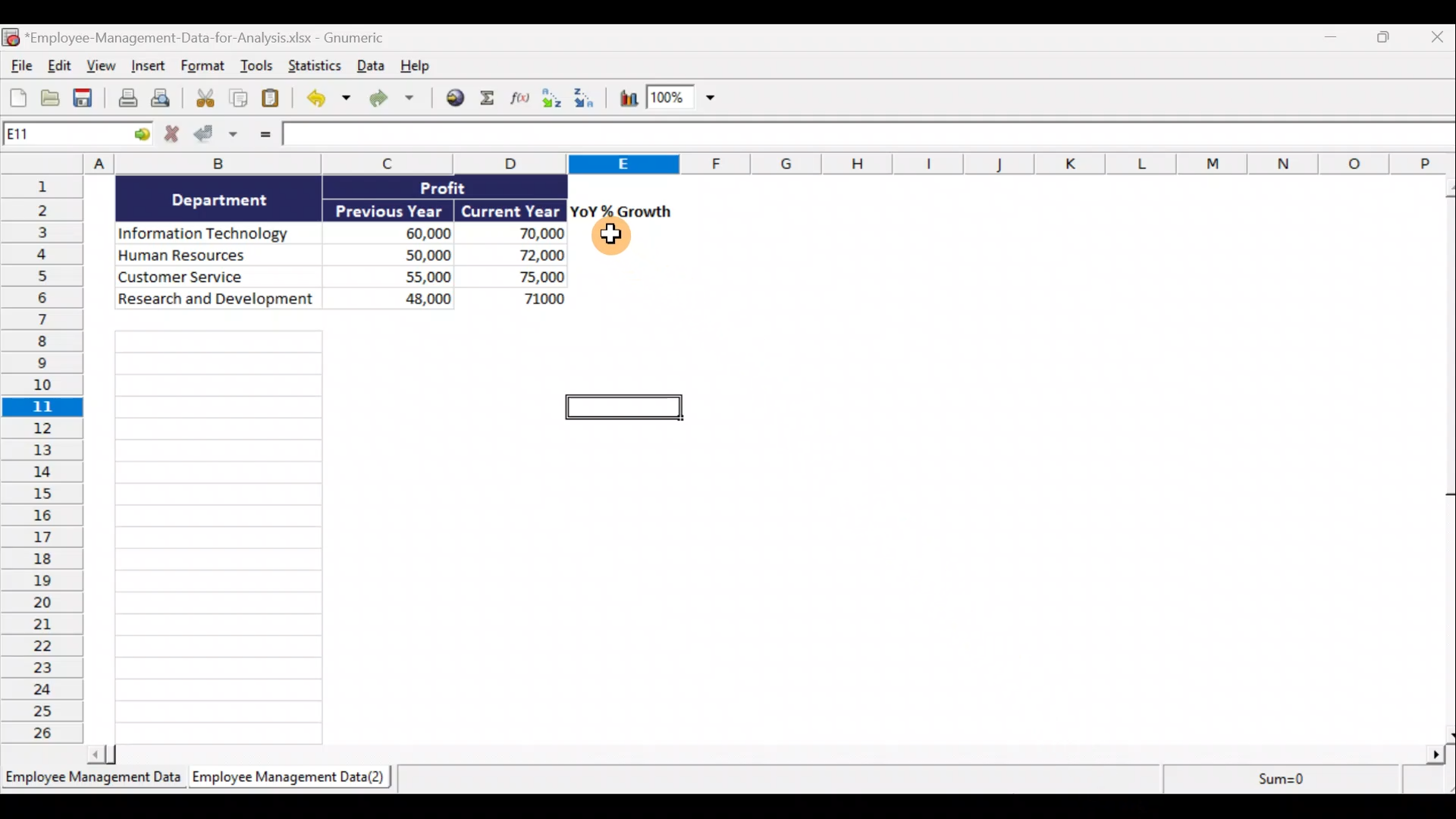 Image resolution: width=1456 pixels, height=819 pixels. Describe the element at coordinates (1328, 40) in the screenshot. I see `Minimise` at that location.